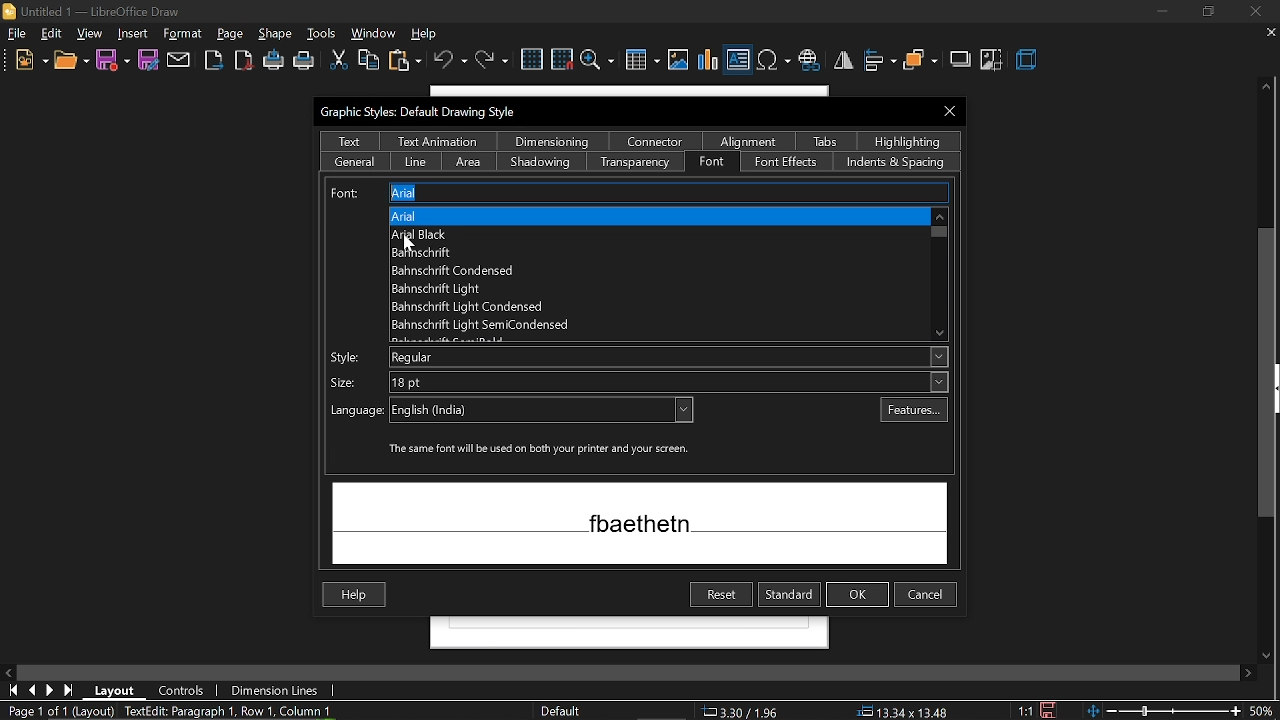 The width and height of the screenshot is (1280, 720). Describe the element at coordinates (544, 412) in the screenshot. I see `English (India)` at that location.